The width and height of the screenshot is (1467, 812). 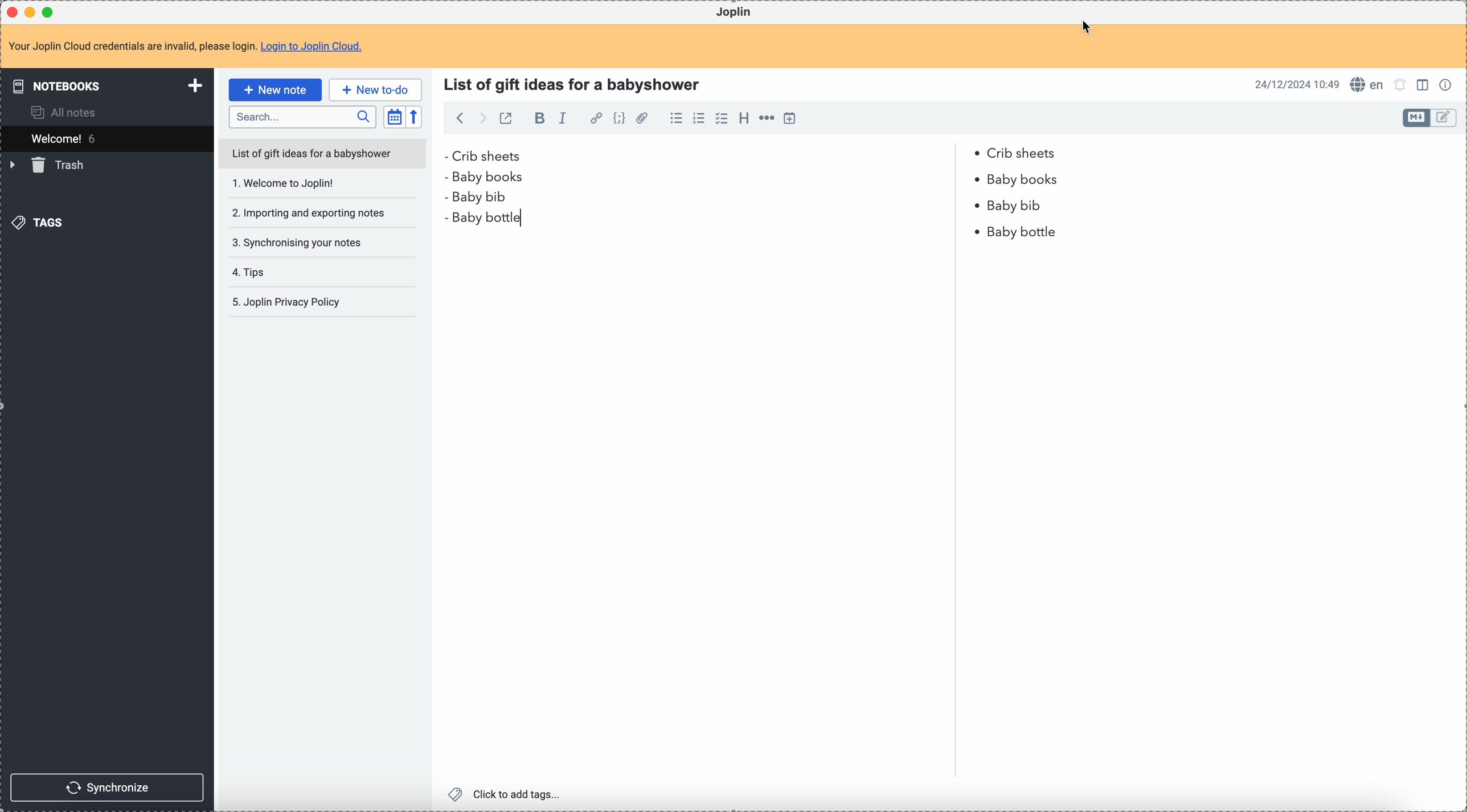 I want to click on baby bottle, so click(x=1017, y=231).